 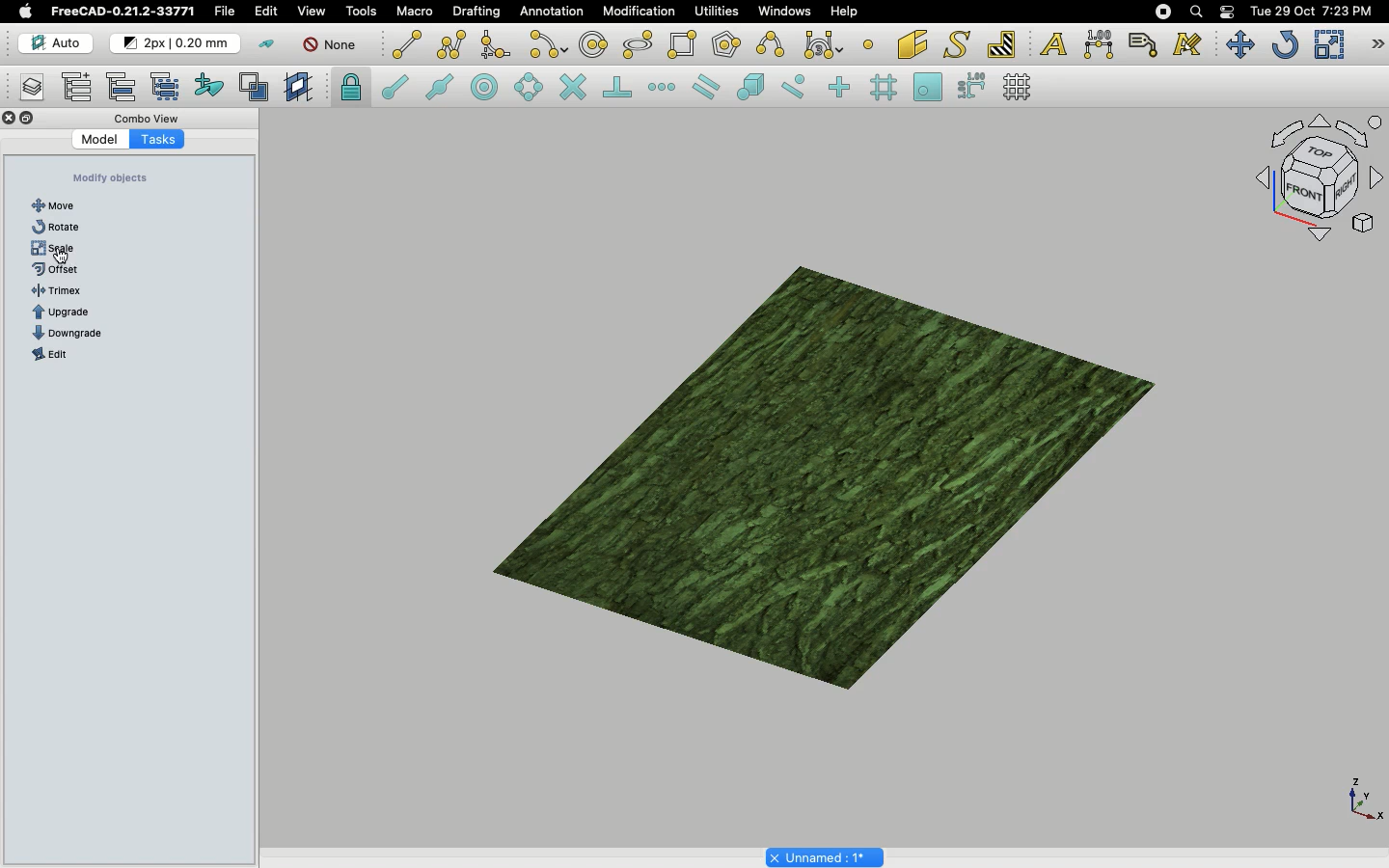 I want to click on Facebinder, so click(x=912, y=43).